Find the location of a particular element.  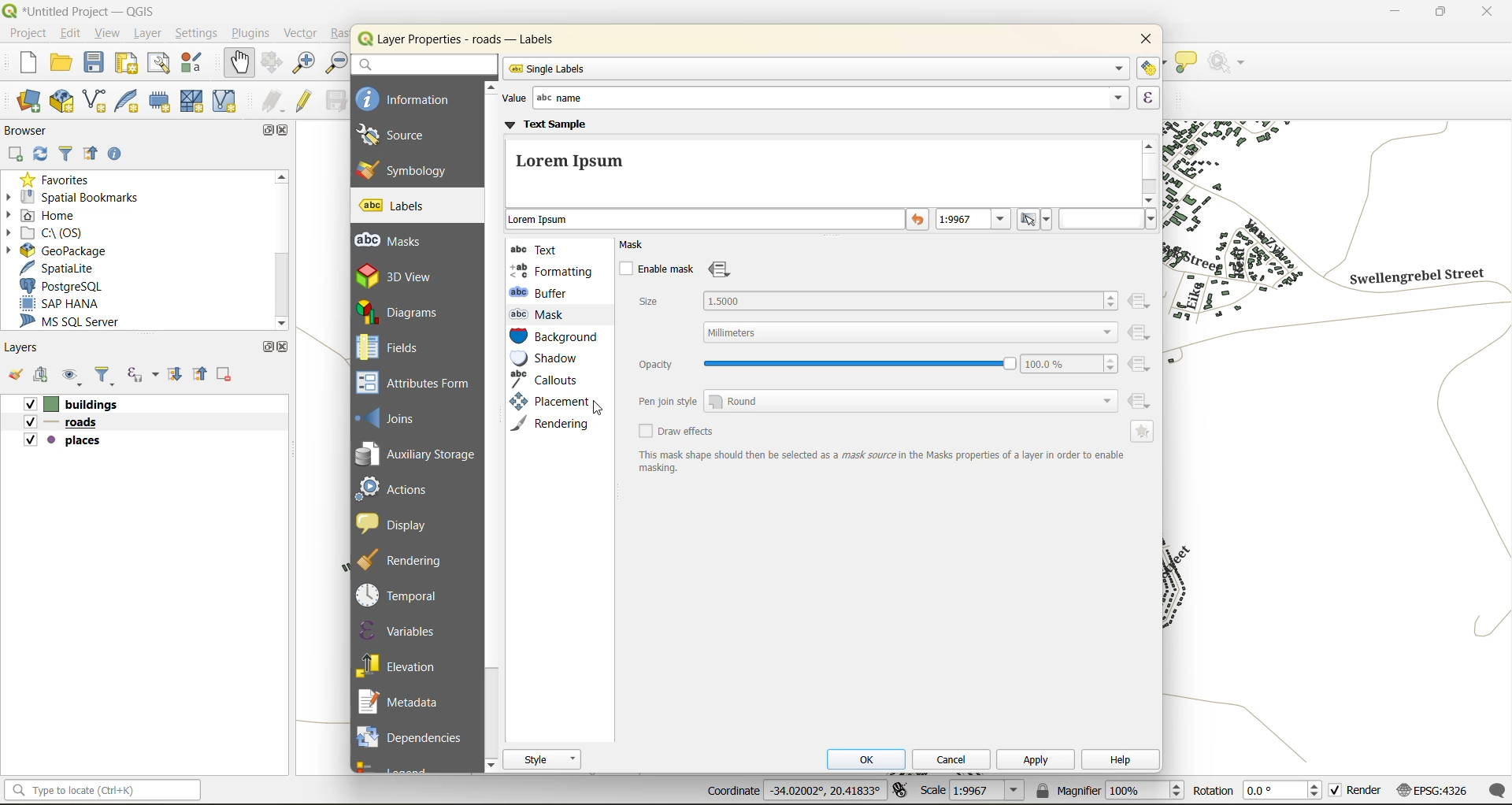

buildings layer is located at coordinates (76, 405).